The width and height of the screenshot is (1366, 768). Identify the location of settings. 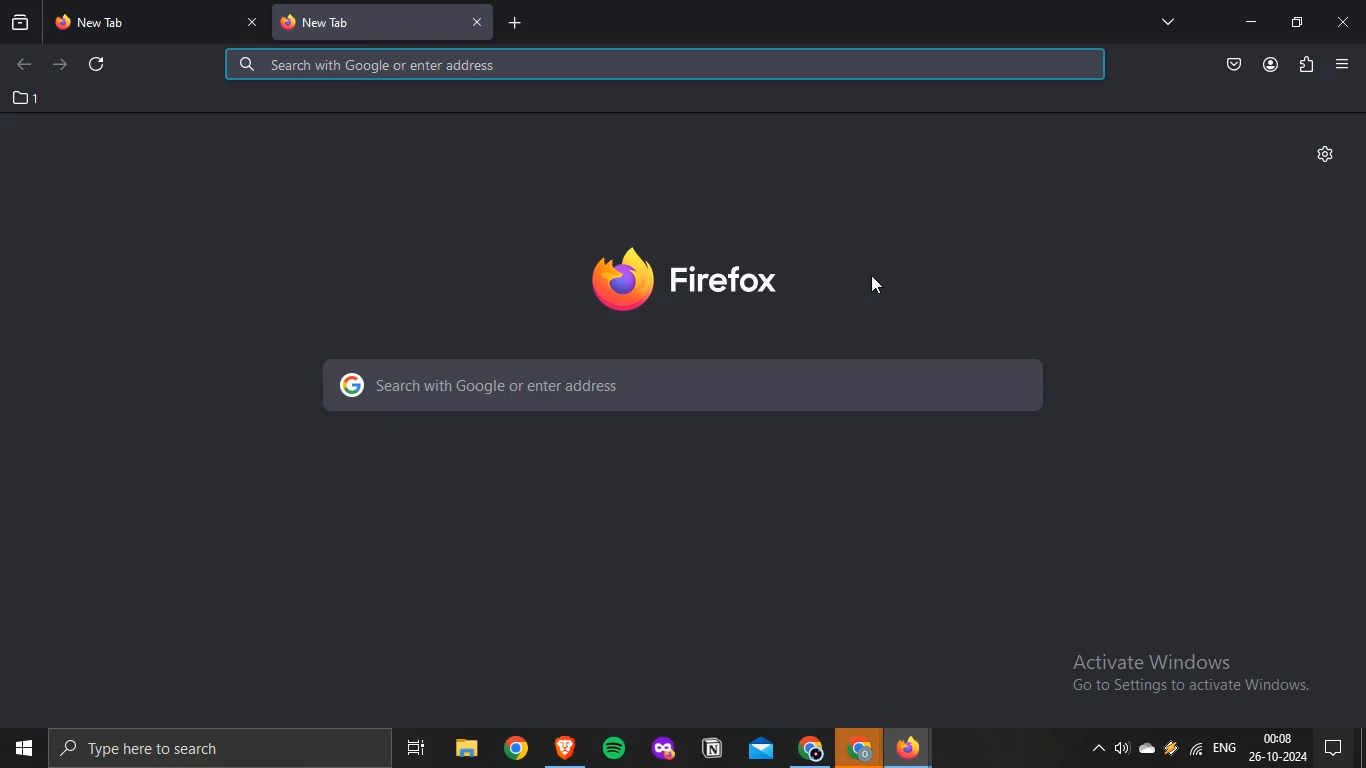
(1326, 153).